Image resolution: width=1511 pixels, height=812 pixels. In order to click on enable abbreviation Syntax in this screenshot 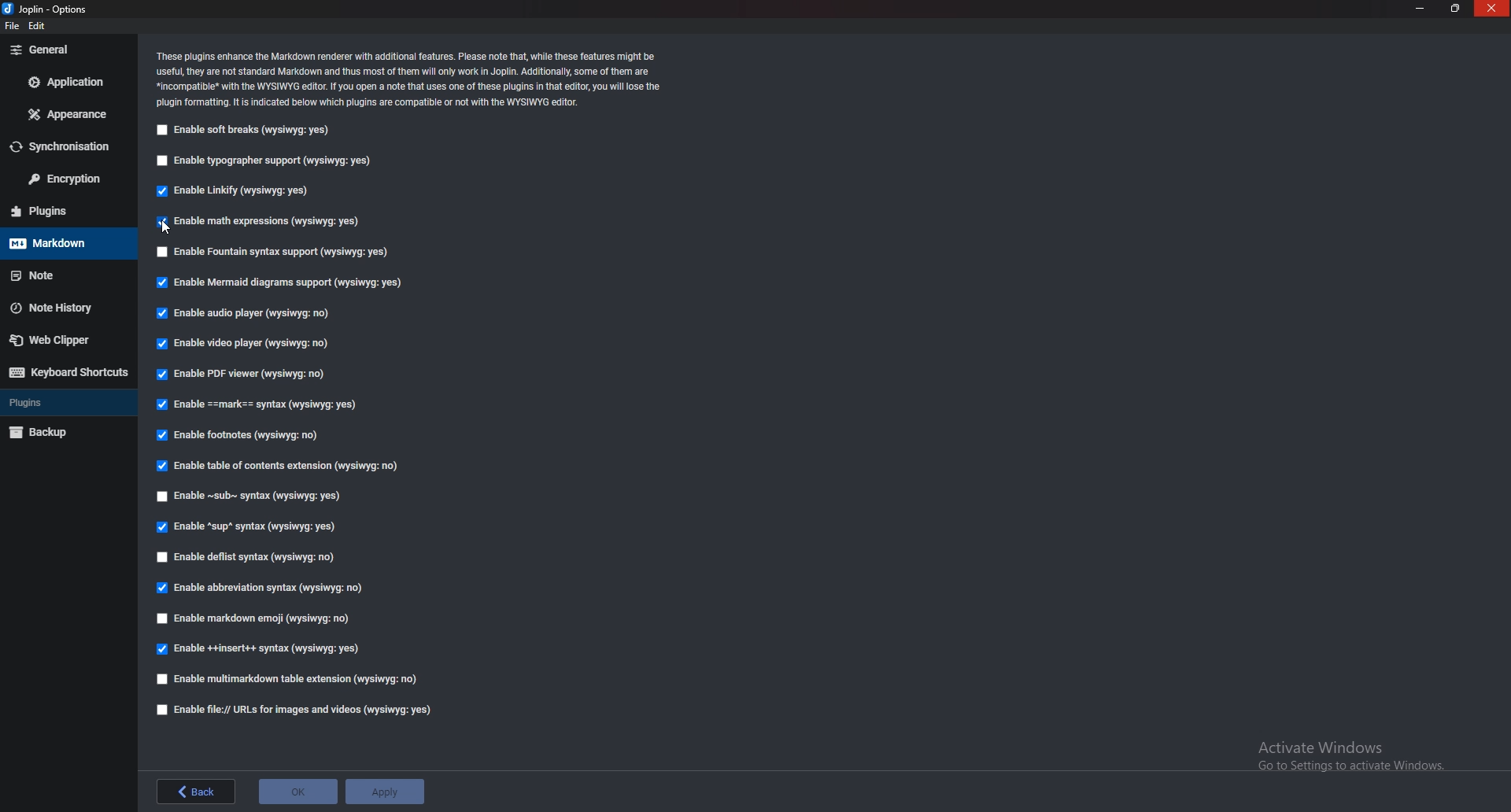, I will do `click(264, 588)`.